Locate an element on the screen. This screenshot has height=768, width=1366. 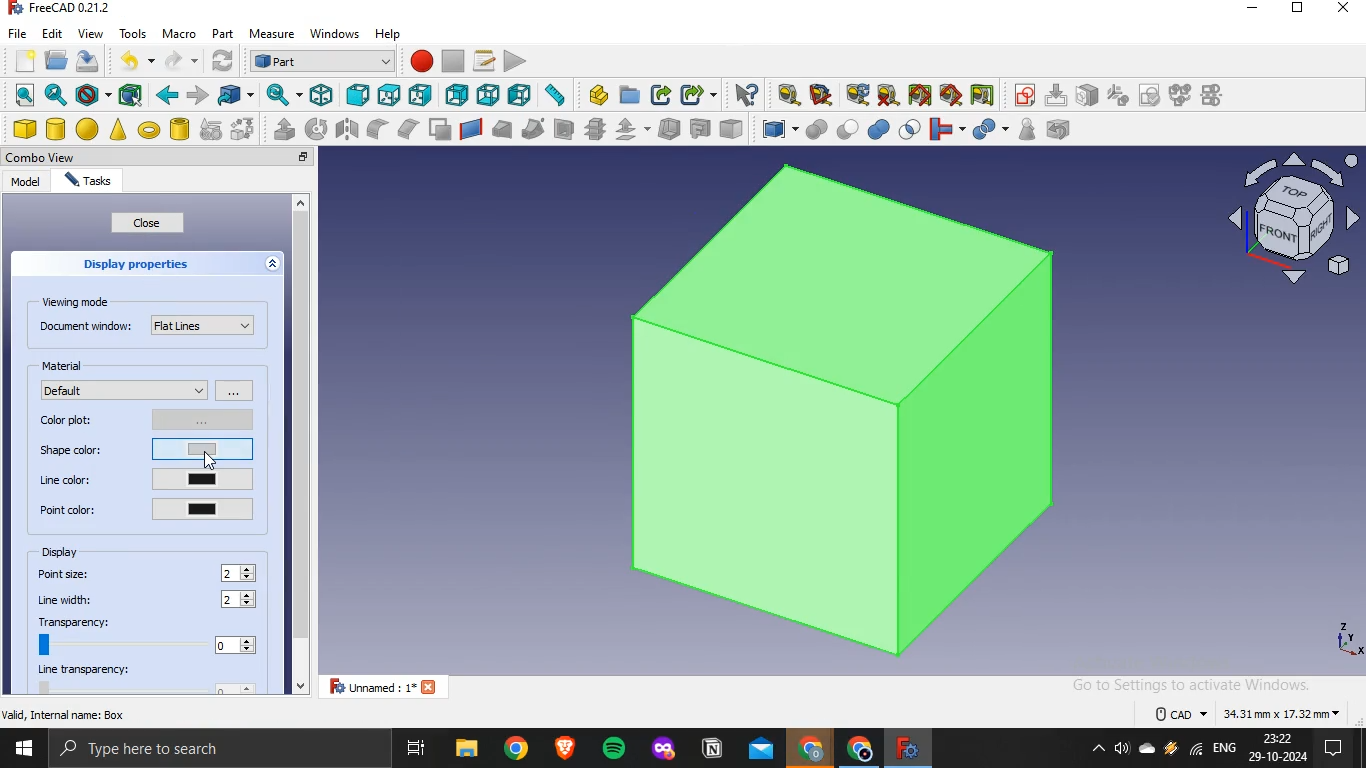
start macro recording is located at coordinates (421, 60).